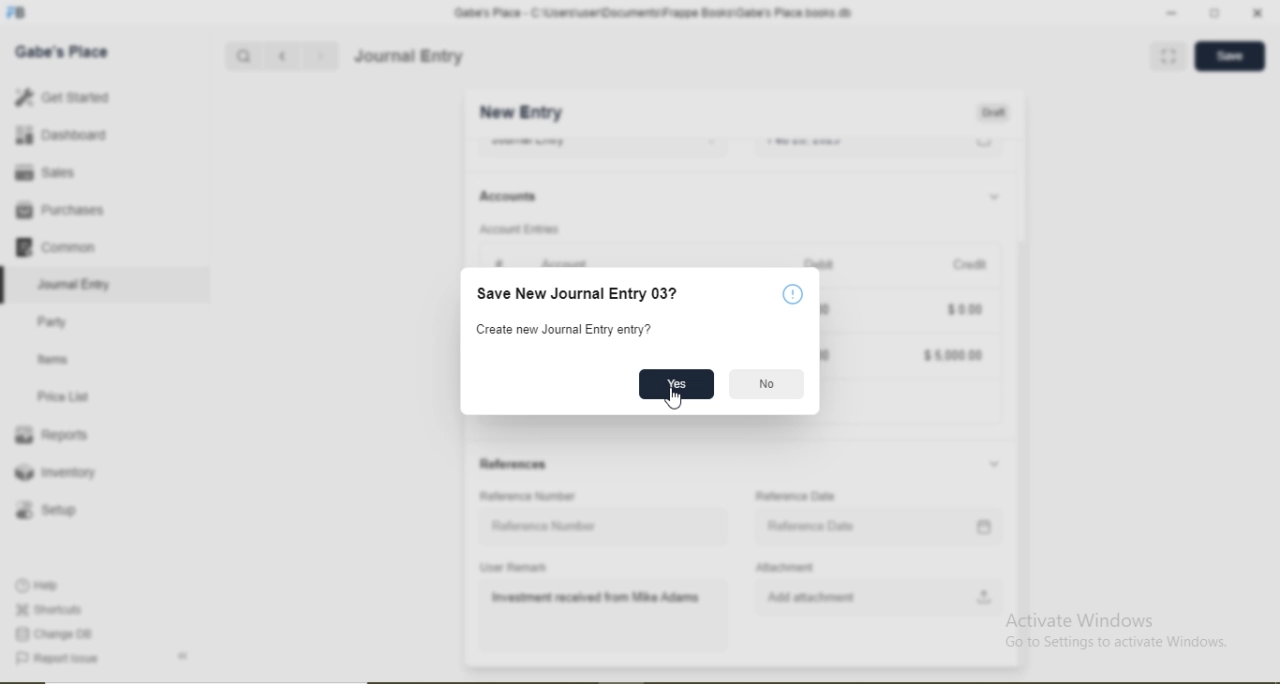 This screenshot has width=1280, height=684. What do you see at coordinates (812, 526) in the screenshot?
I see `Reference Date` at bounding box center [812, 526].